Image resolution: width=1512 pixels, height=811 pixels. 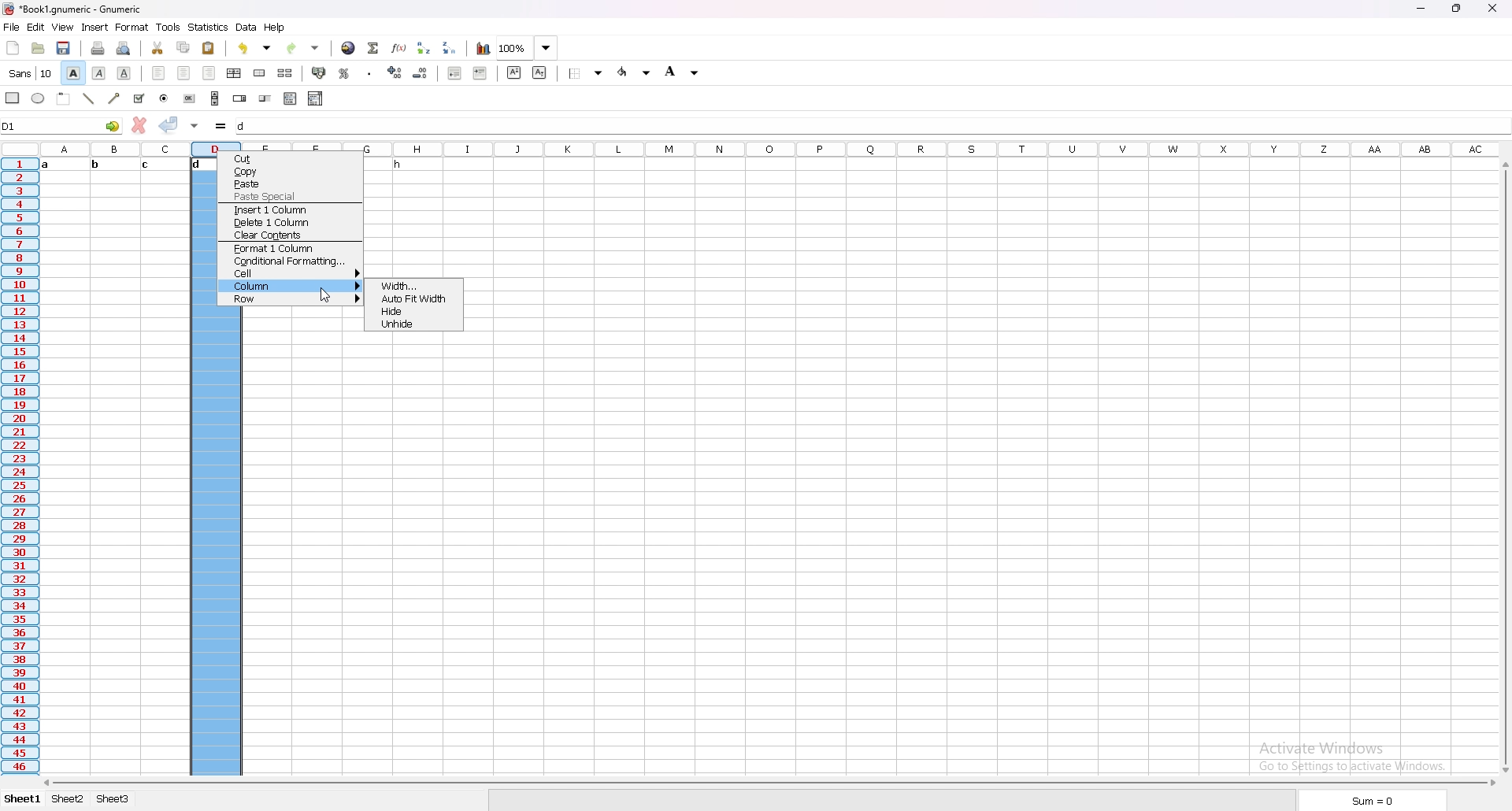 I want to click on resize, so click(x=1455, y=9).